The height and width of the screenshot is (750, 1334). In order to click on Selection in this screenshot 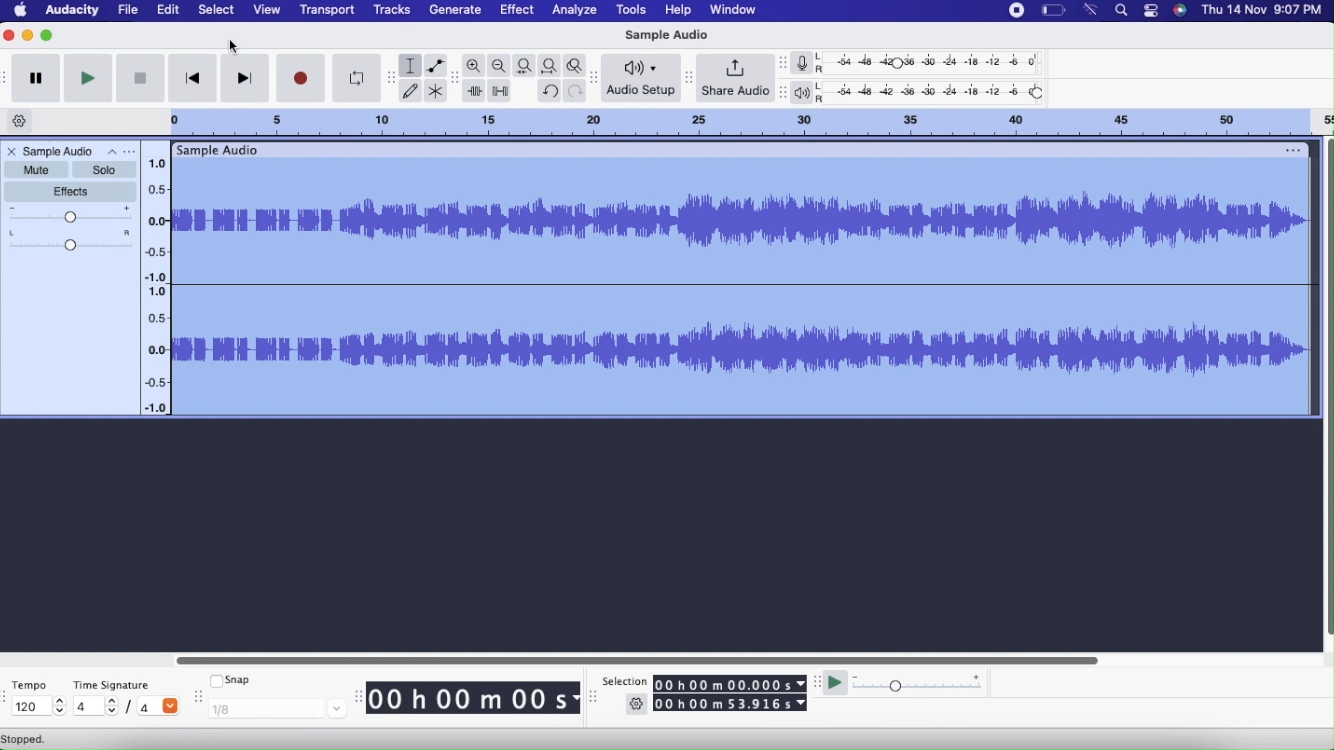, I will do `click(625, 679)`.